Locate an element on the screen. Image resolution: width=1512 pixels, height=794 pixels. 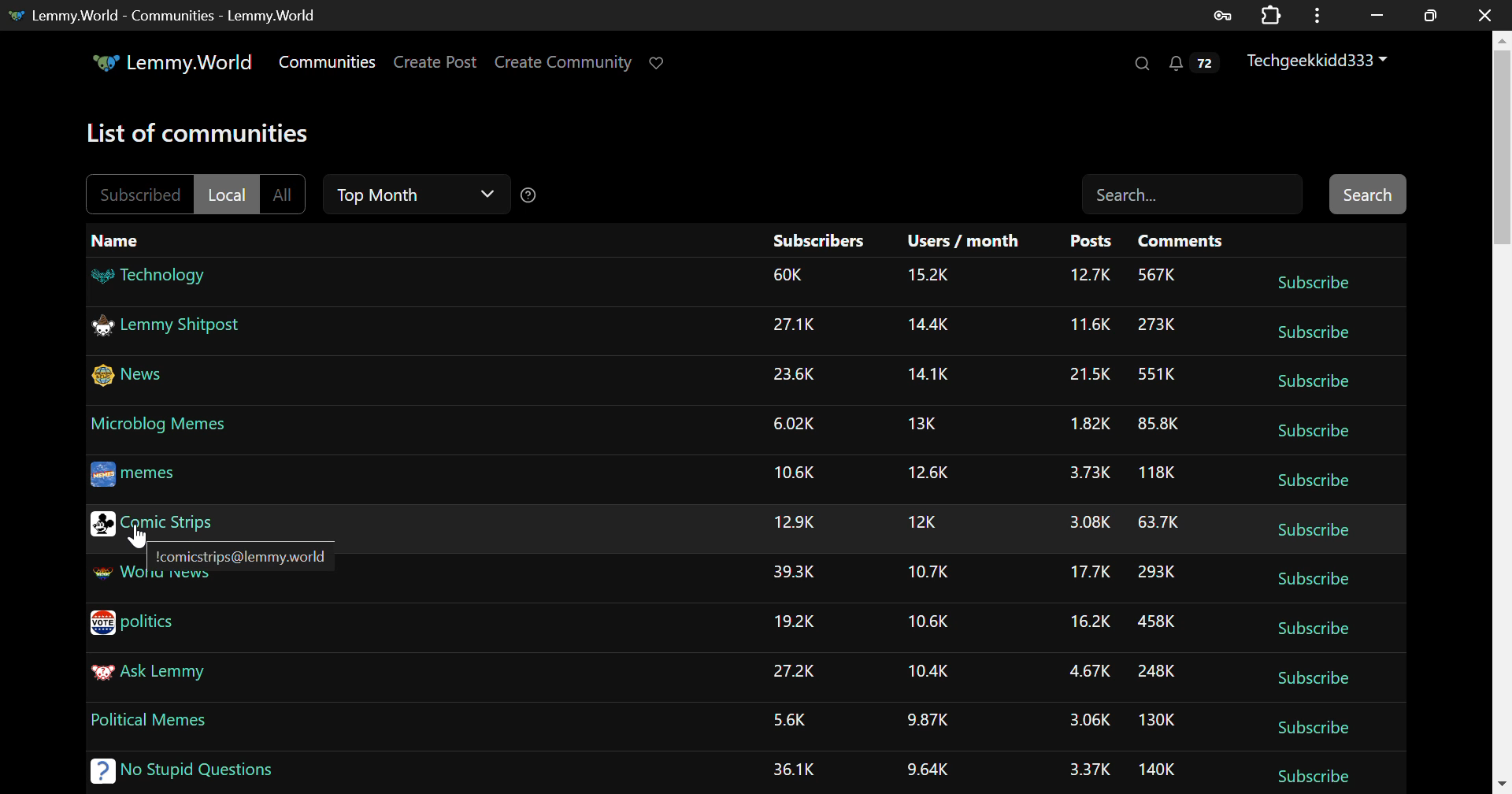
memes is located at coordinates (141, 474).